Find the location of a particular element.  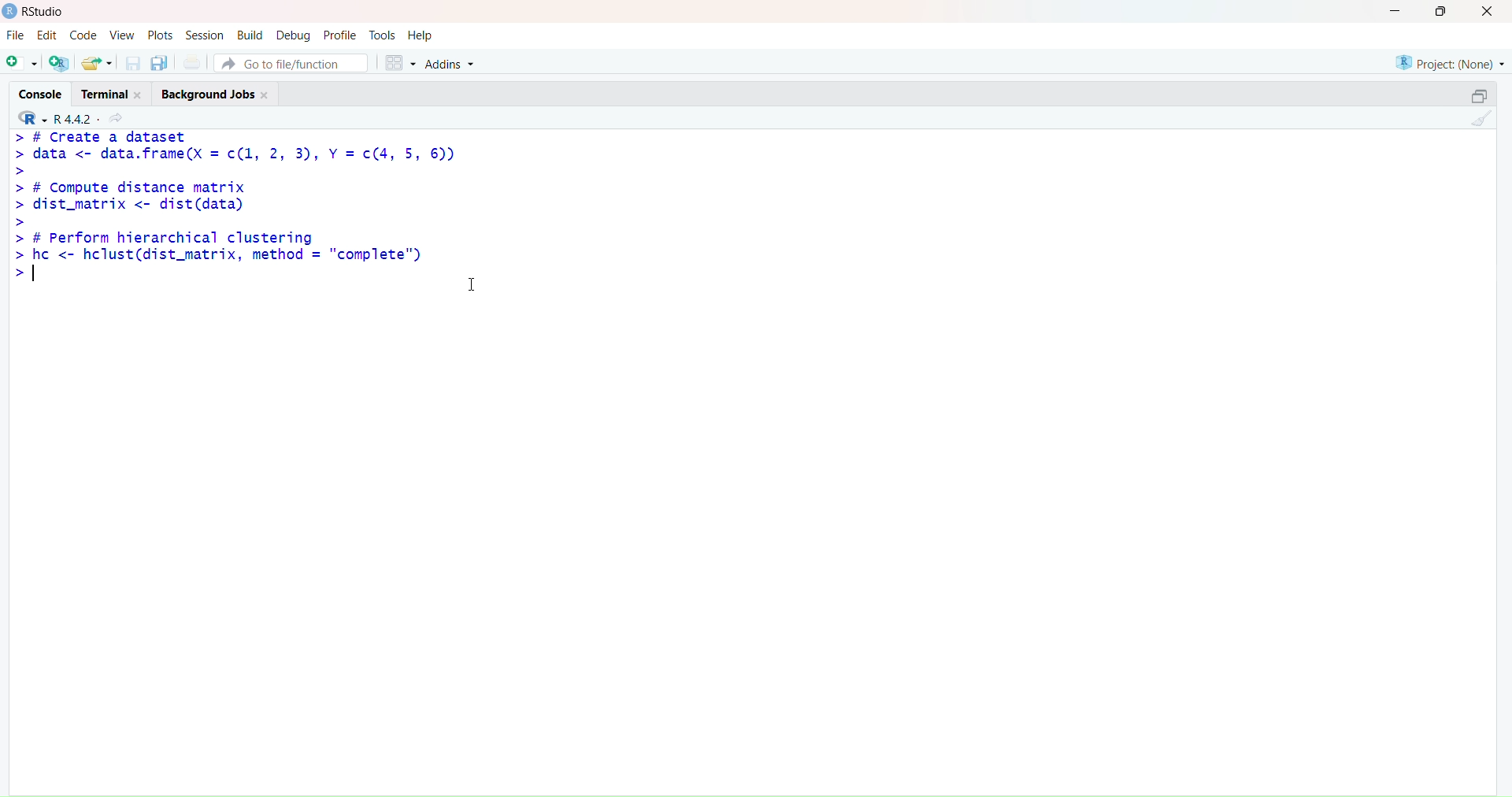

R is located at coordinates (28, 119).